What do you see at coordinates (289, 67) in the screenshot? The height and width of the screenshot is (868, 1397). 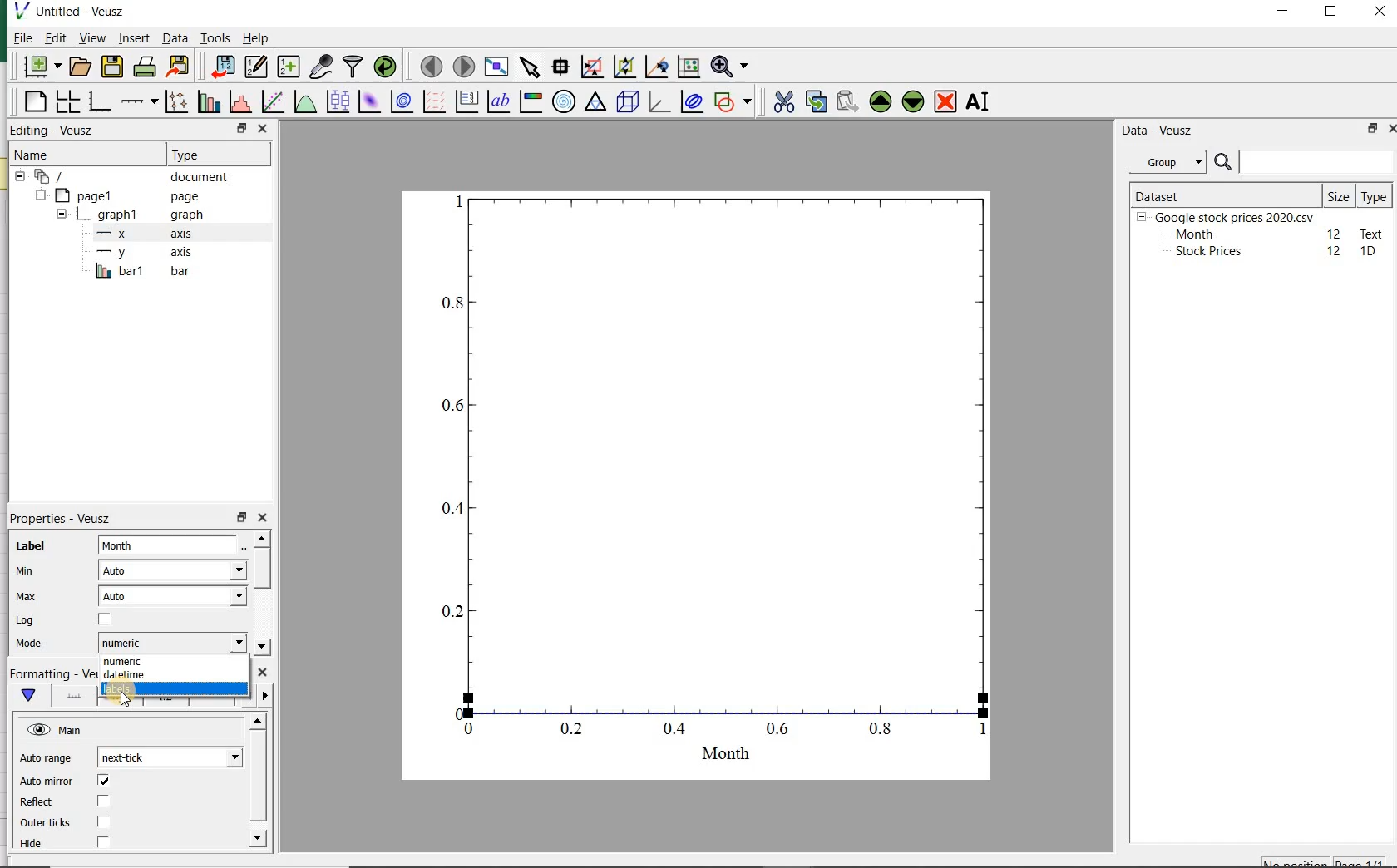 I see `create new datasets` at bounding box center [289, 67].